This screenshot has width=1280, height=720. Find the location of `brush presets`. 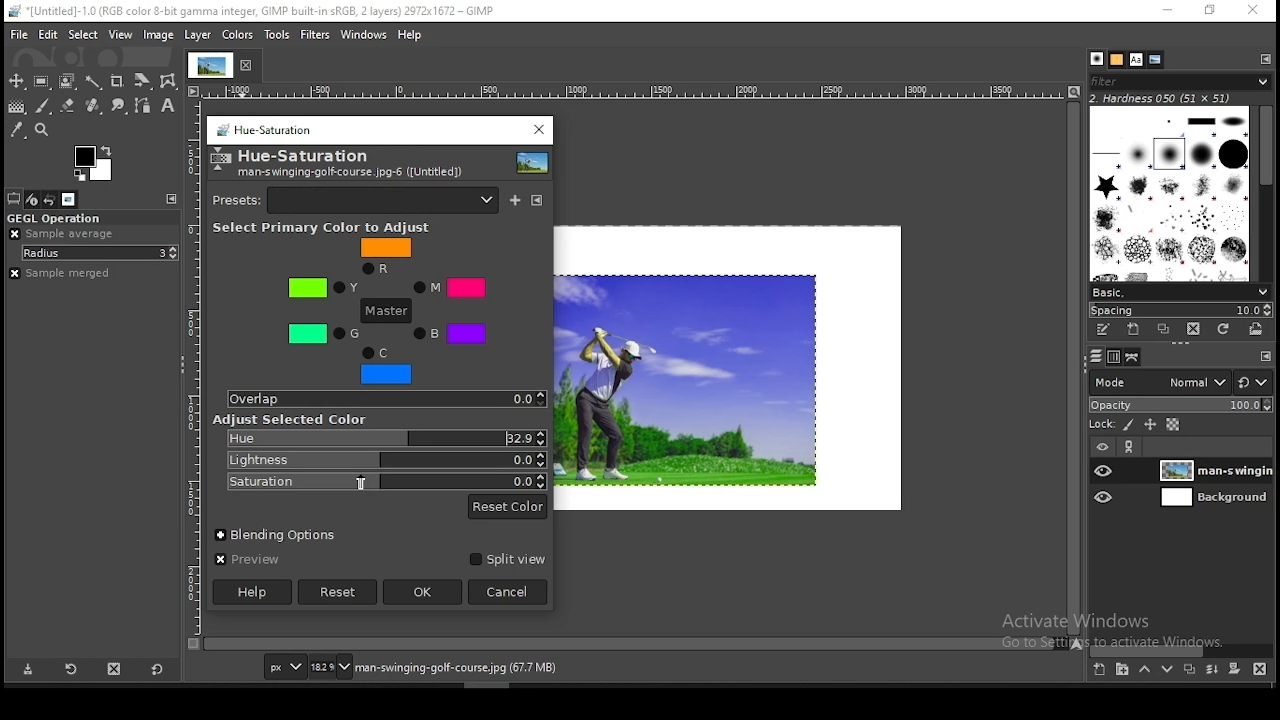

brush presets is located at coordinates (1179, 292).